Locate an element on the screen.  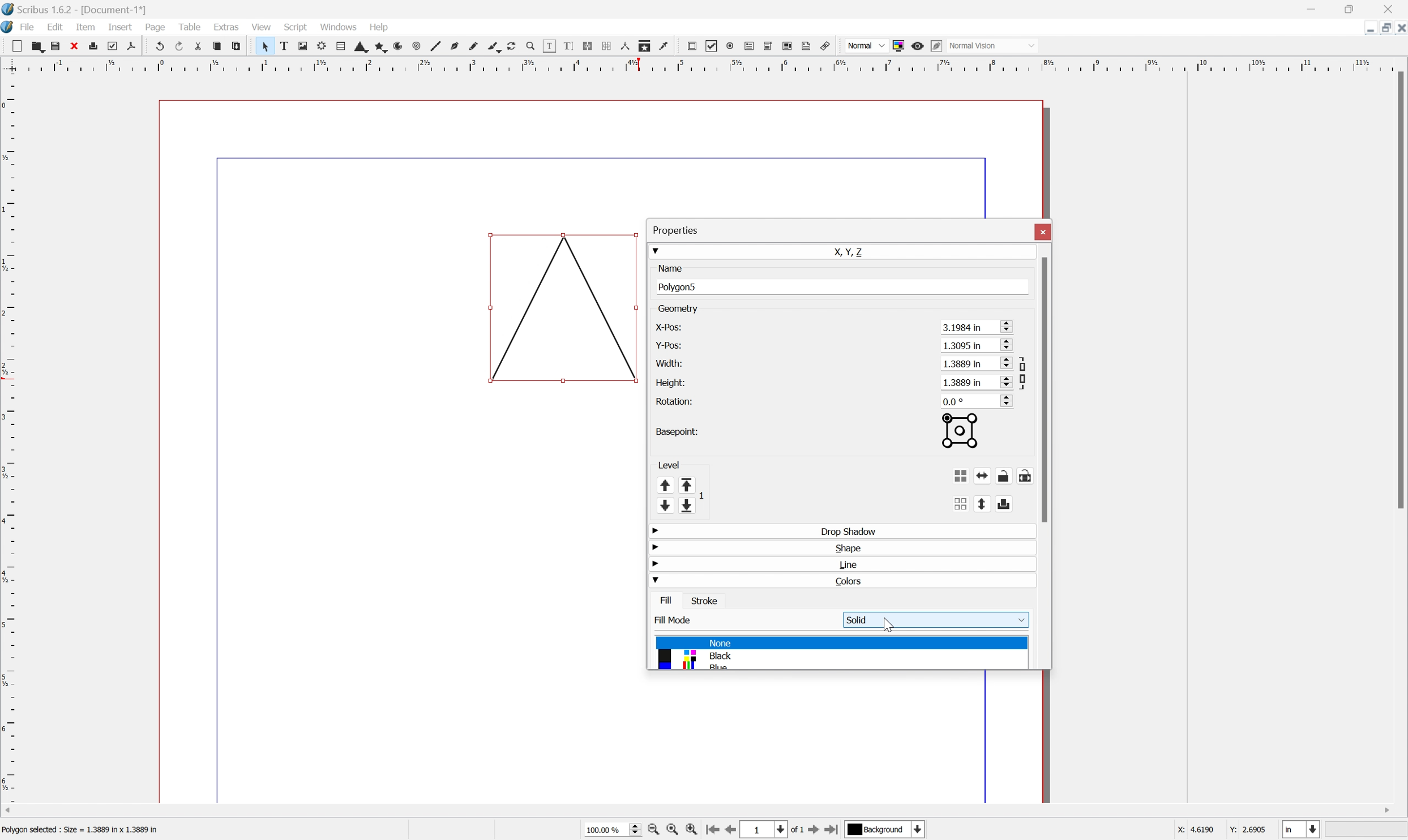
Go to next page is located at coordinates (814, 830).